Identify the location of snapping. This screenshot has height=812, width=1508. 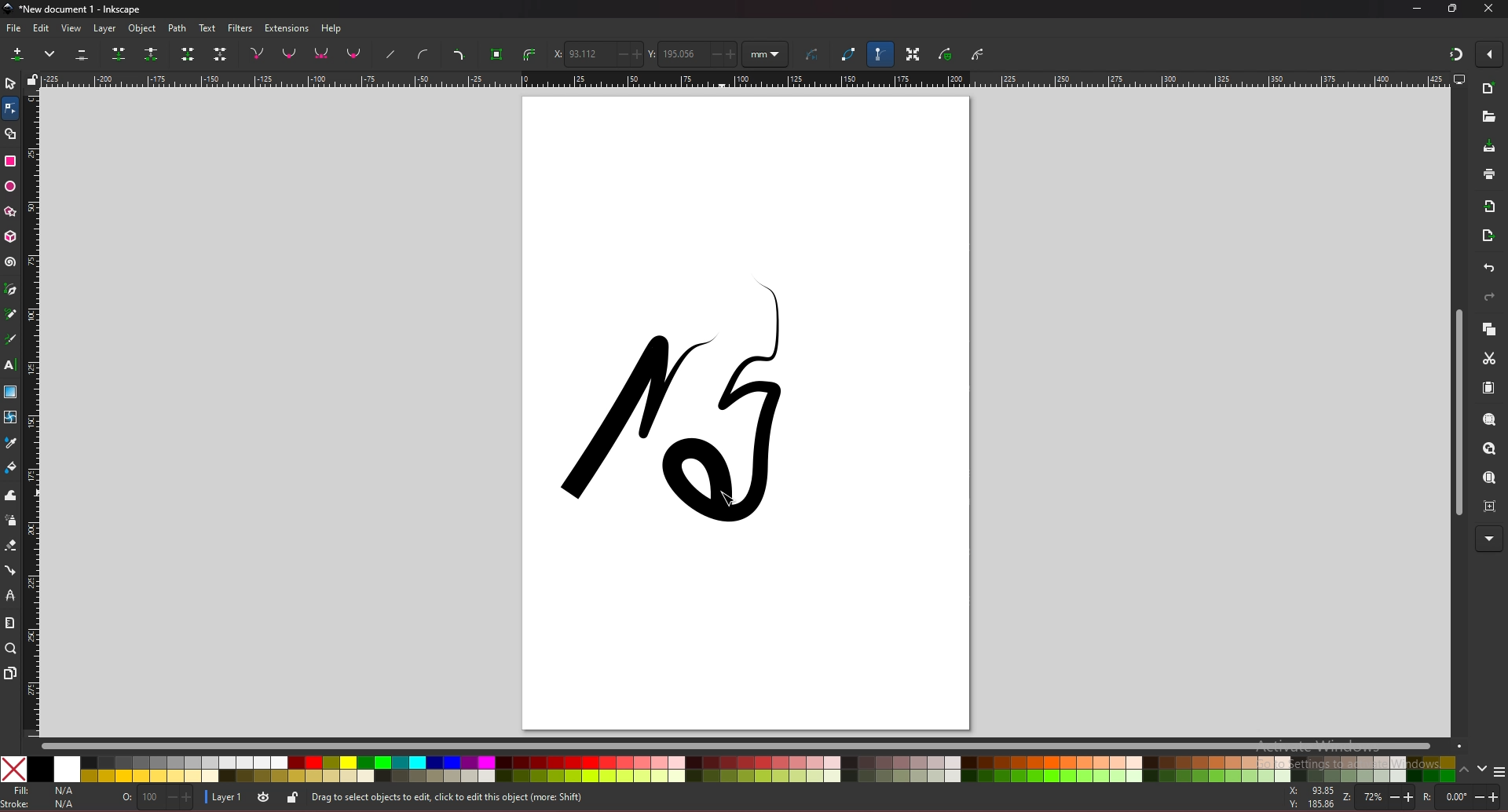
(1456, 54).